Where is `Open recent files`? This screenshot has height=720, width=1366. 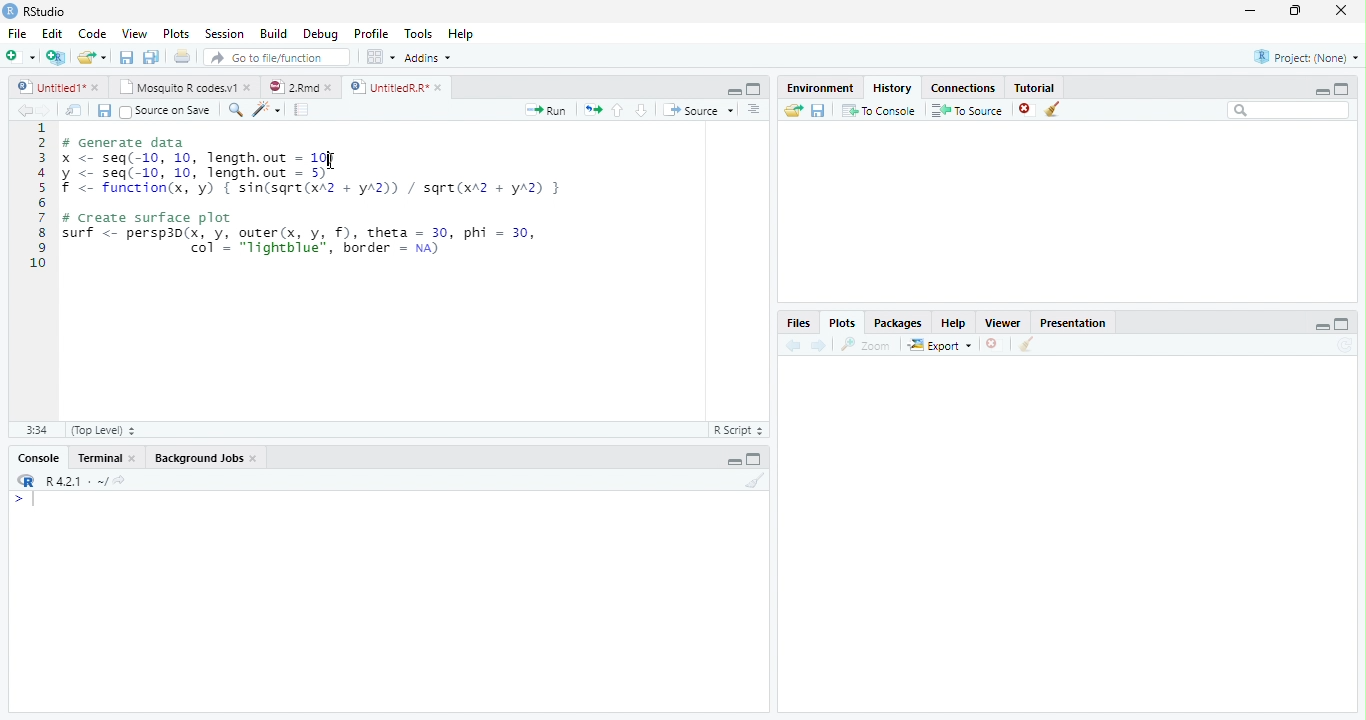 Open recent files is located at coordinates (104, 57).